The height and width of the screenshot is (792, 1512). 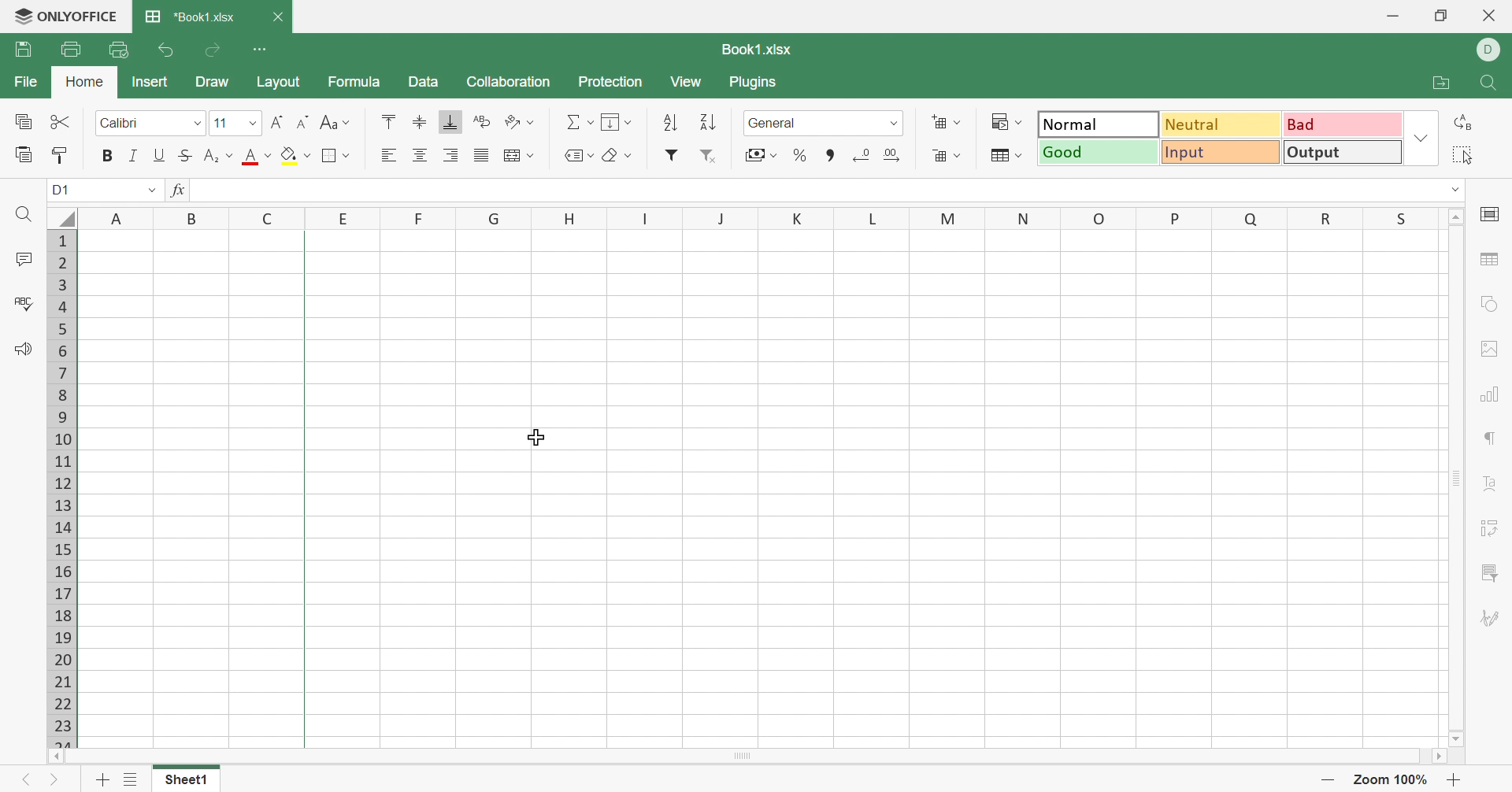 What do you see at coordinates (706, 121) in the screenshot?
I see `Descending order` at bounding box center [706, 121].